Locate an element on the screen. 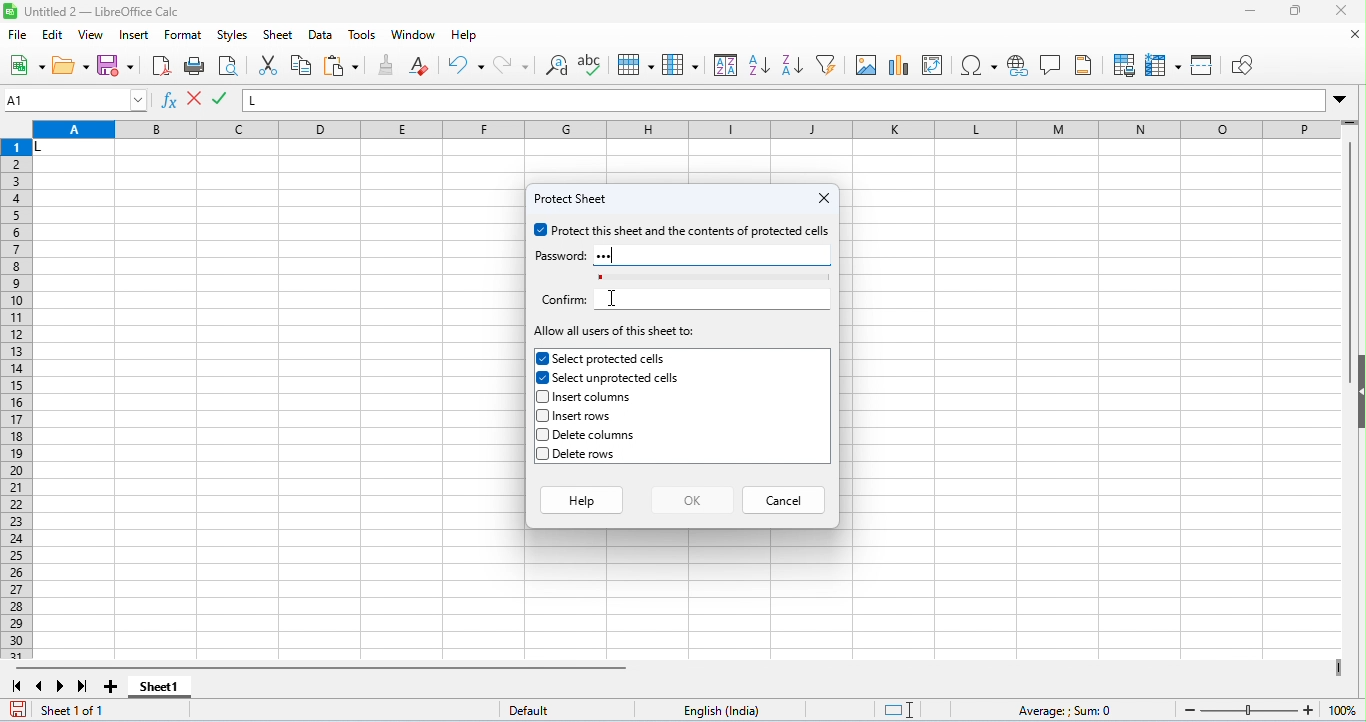  drag to view rows is located at coordinates (1350, 122).